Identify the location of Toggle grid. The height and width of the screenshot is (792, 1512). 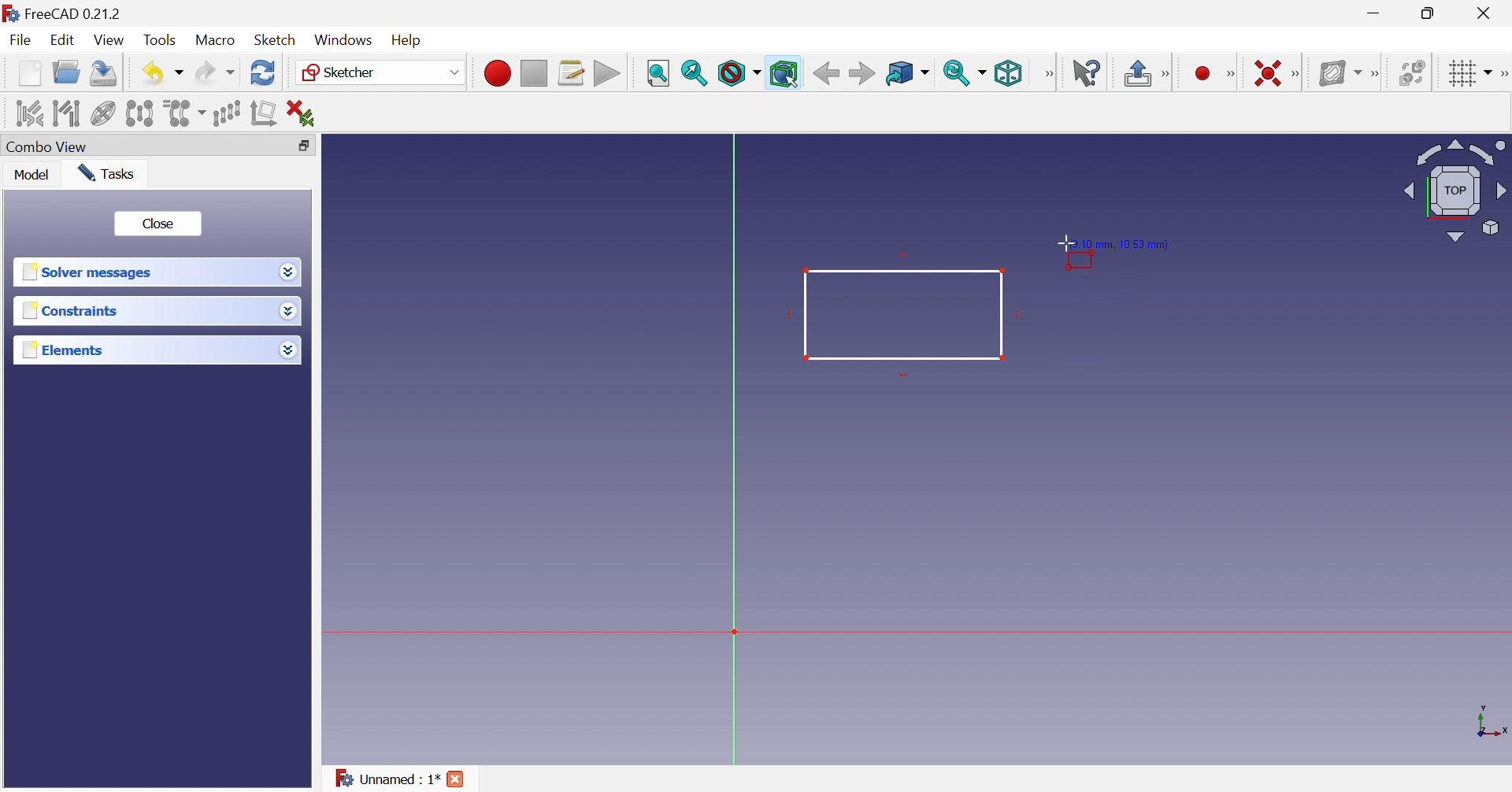
(1469, 72).